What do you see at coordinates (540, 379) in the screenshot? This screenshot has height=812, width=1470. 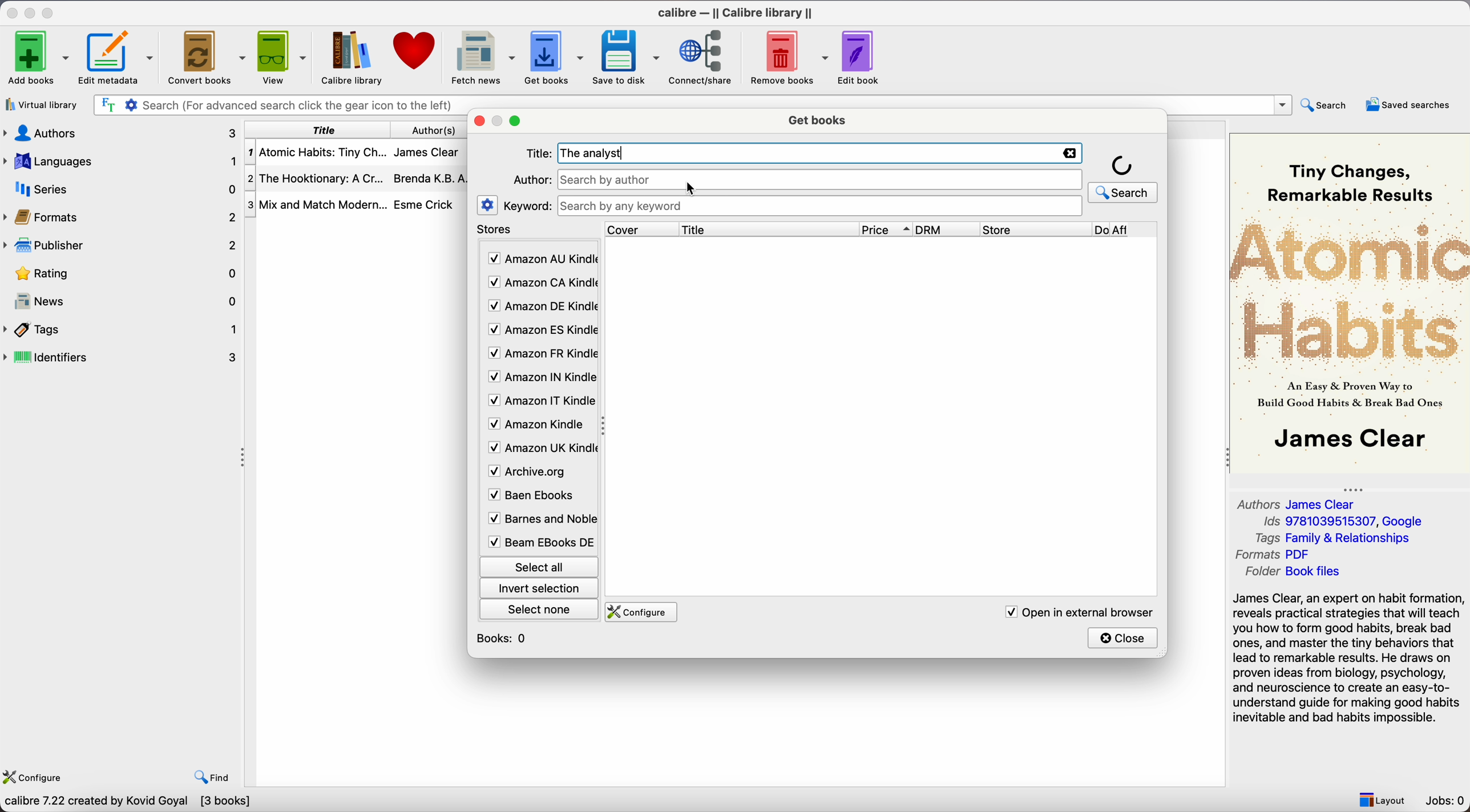 I see `Amazon IN Kindle` at bounding box center [540, 379].